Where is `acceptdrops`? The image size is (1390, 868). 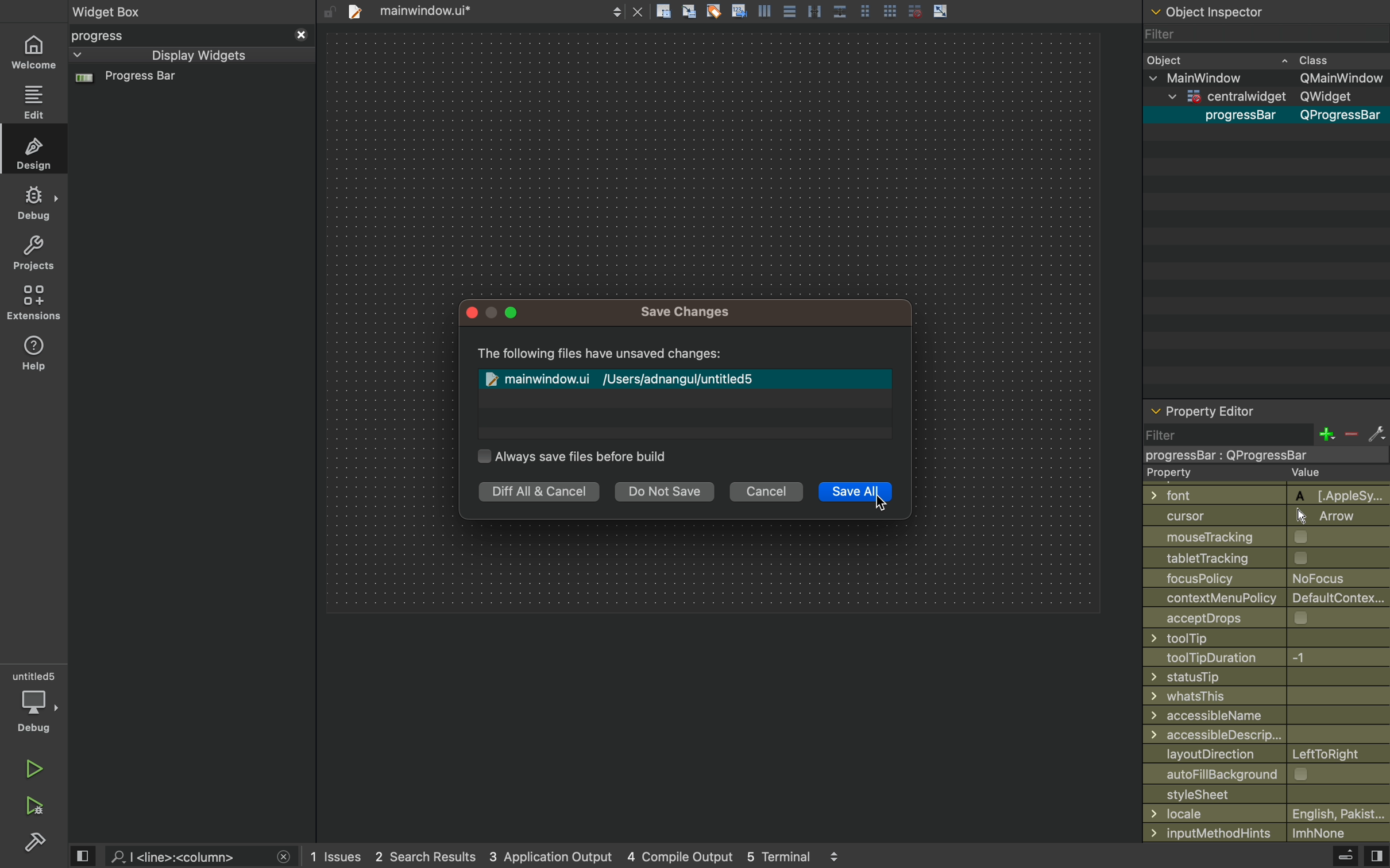
acceptdrops is located at coordinates (1257, 617).